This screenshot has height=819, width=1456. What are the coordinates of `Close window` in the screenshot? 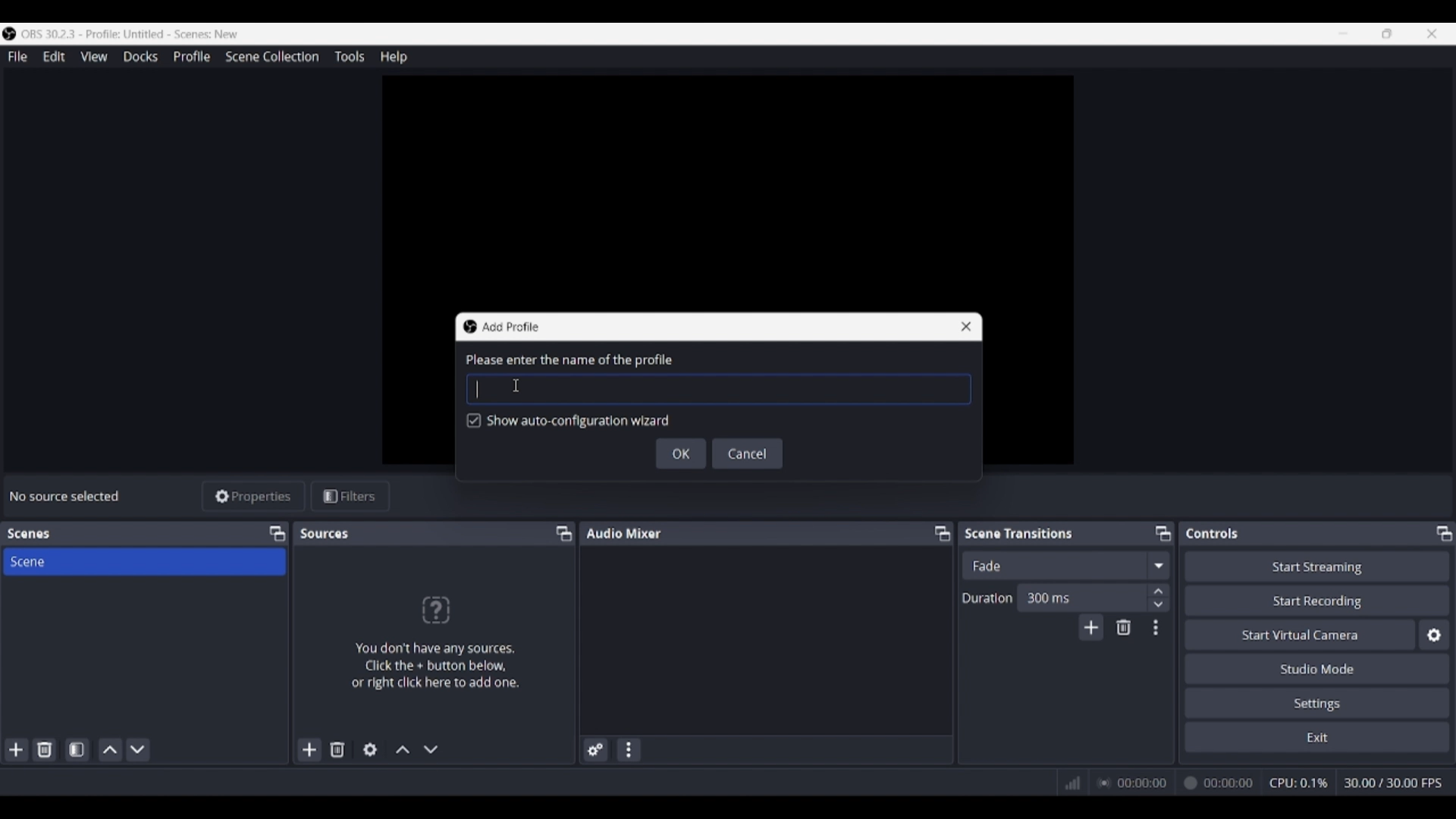 It's located at (966, 327).